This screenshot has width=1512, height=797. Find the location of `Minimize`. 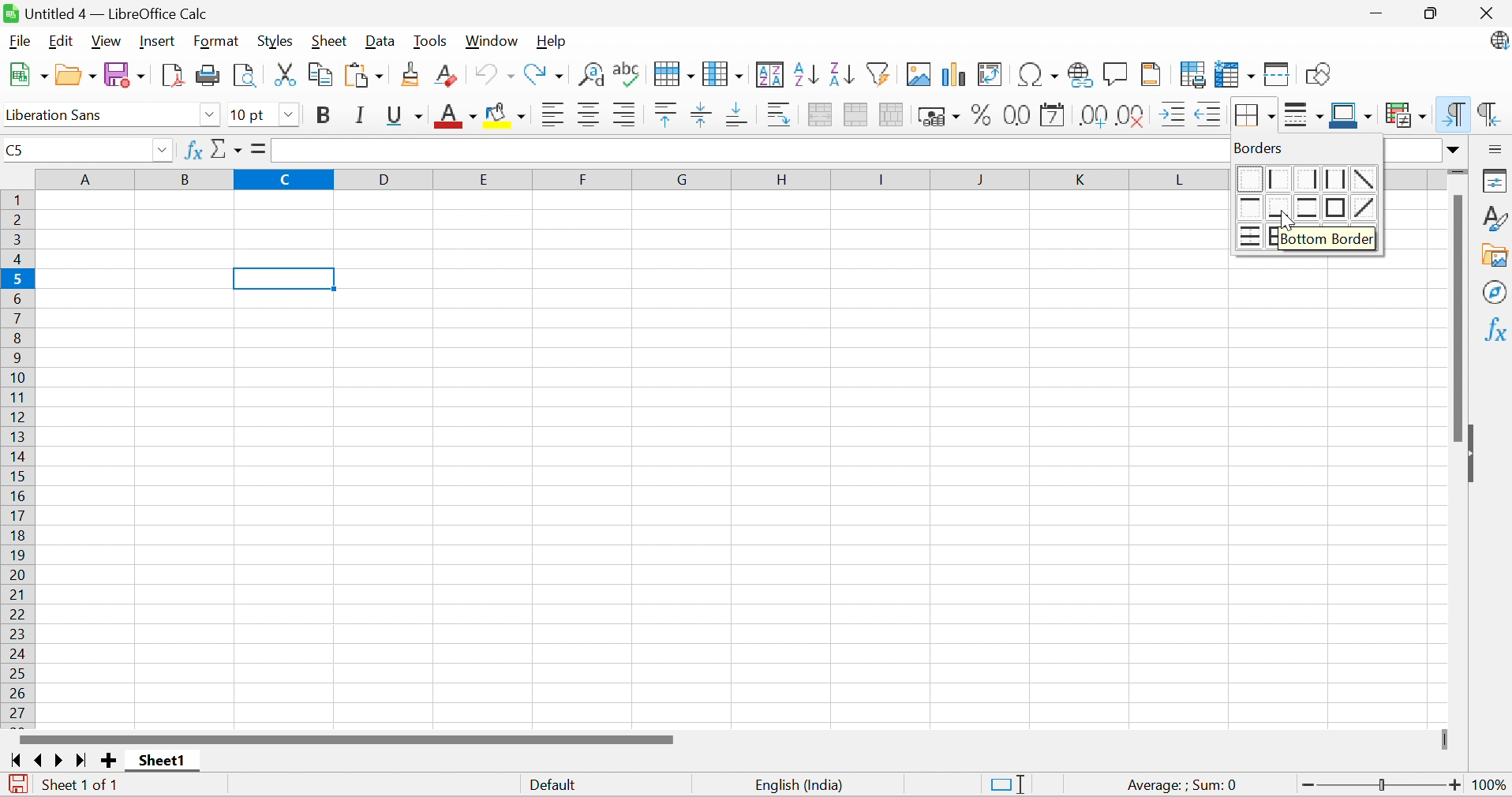

Minimize is located at coordinates (1379, 16).